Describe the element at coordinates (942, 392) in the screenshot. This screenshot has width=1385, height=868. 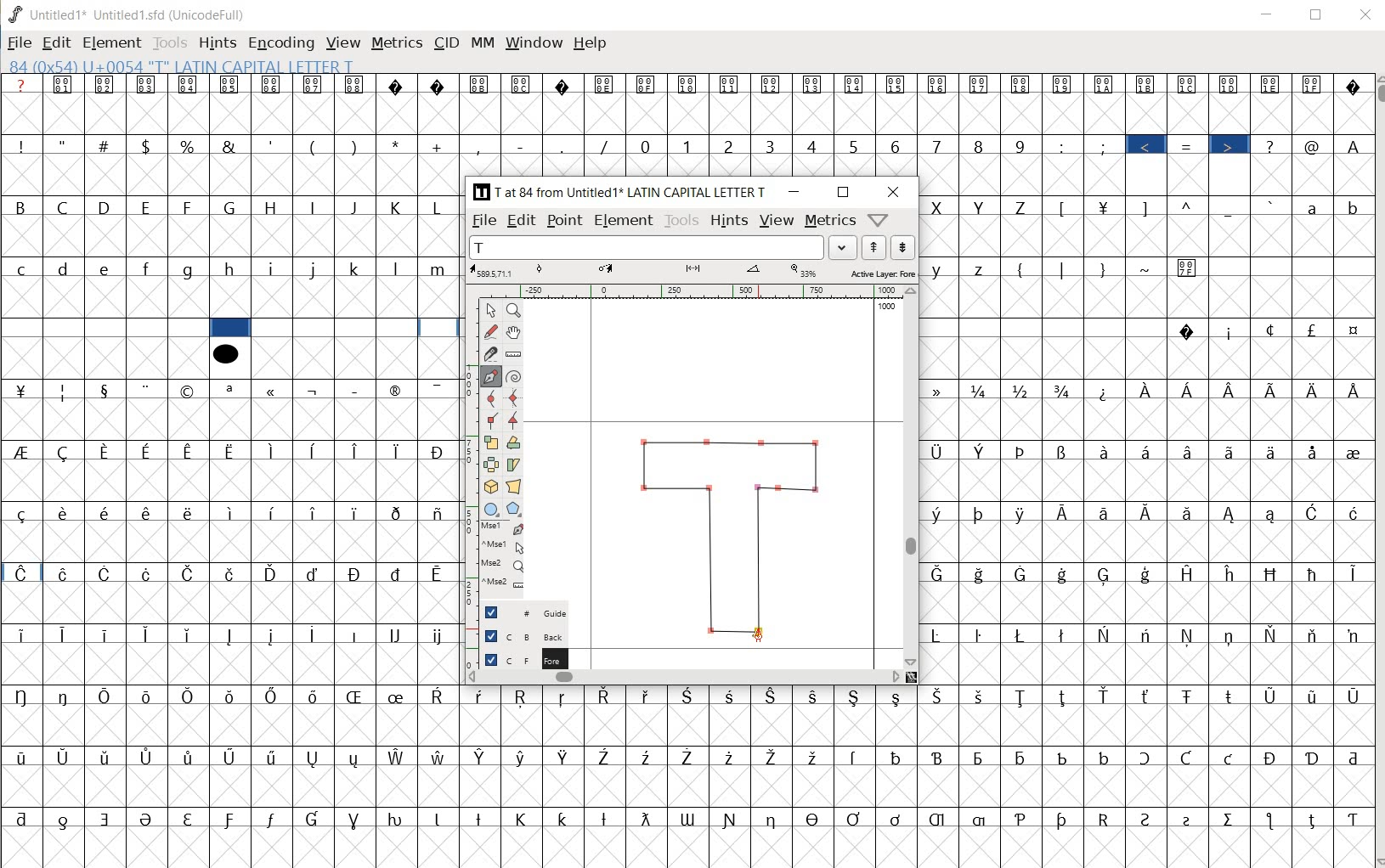
I see `Symbol` at that location.